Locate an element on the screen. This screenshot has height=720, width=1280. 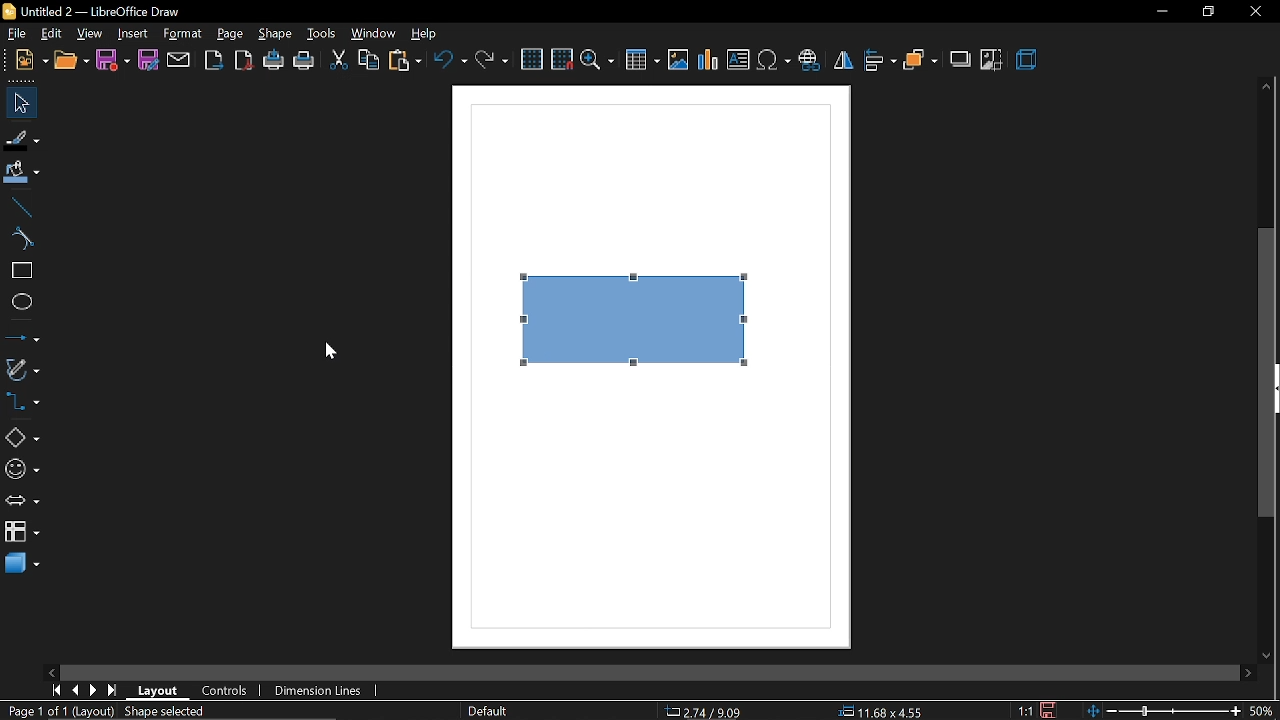
3d effects is located at coordinates (1030, 62).